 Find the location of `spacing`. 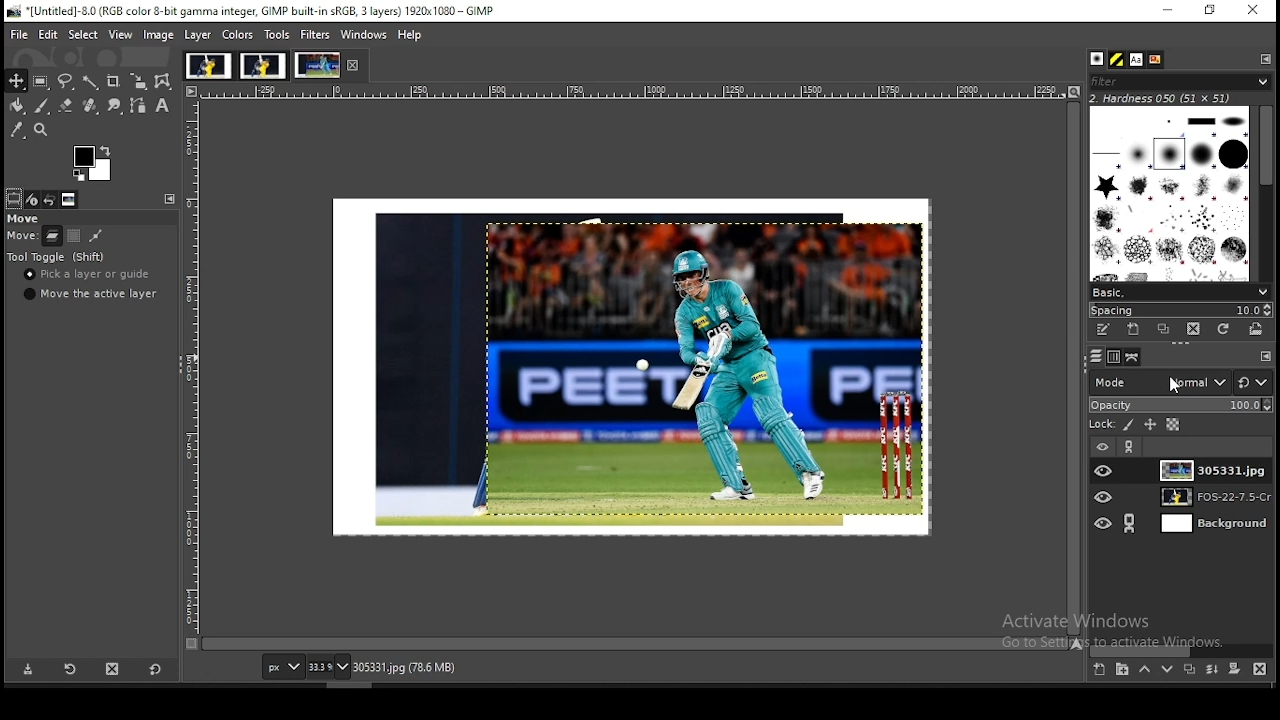

spacing is located at coordinates (1183, 308).